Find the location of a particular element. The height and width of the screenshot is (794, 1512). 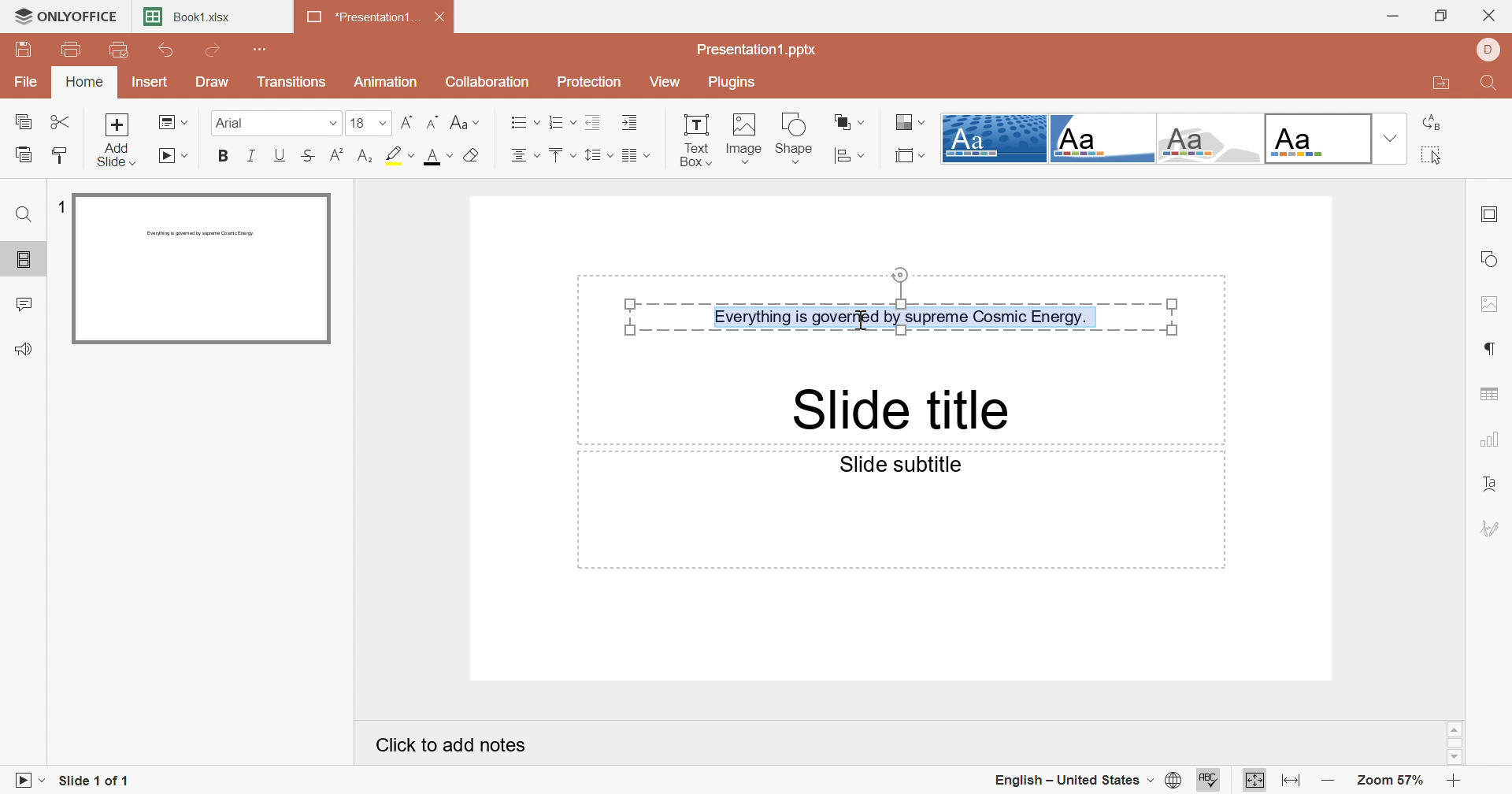

Print is located at coordinates (72, 50).